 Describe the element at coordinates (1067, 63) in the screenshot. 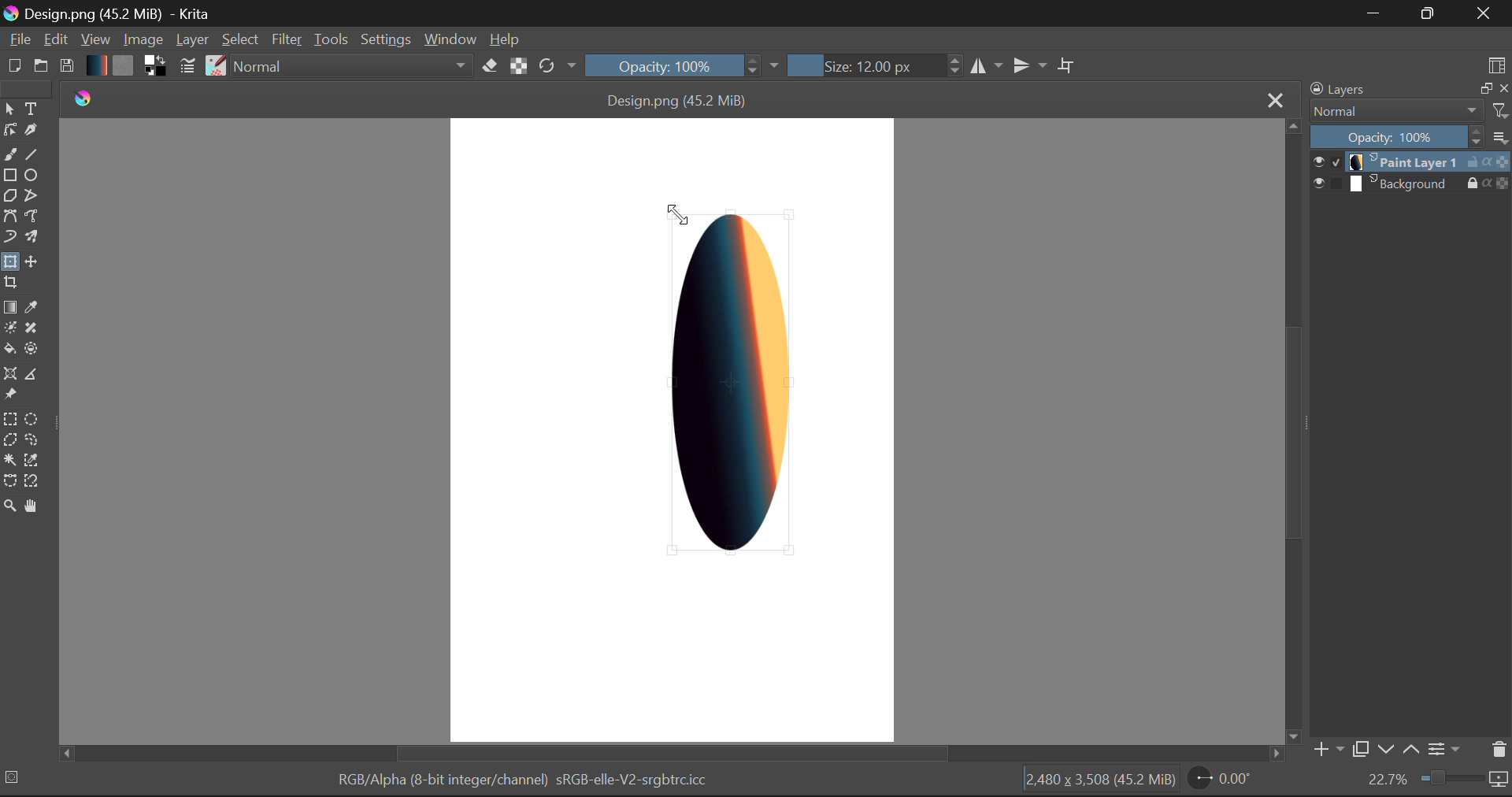

I see `Crop` at that location.